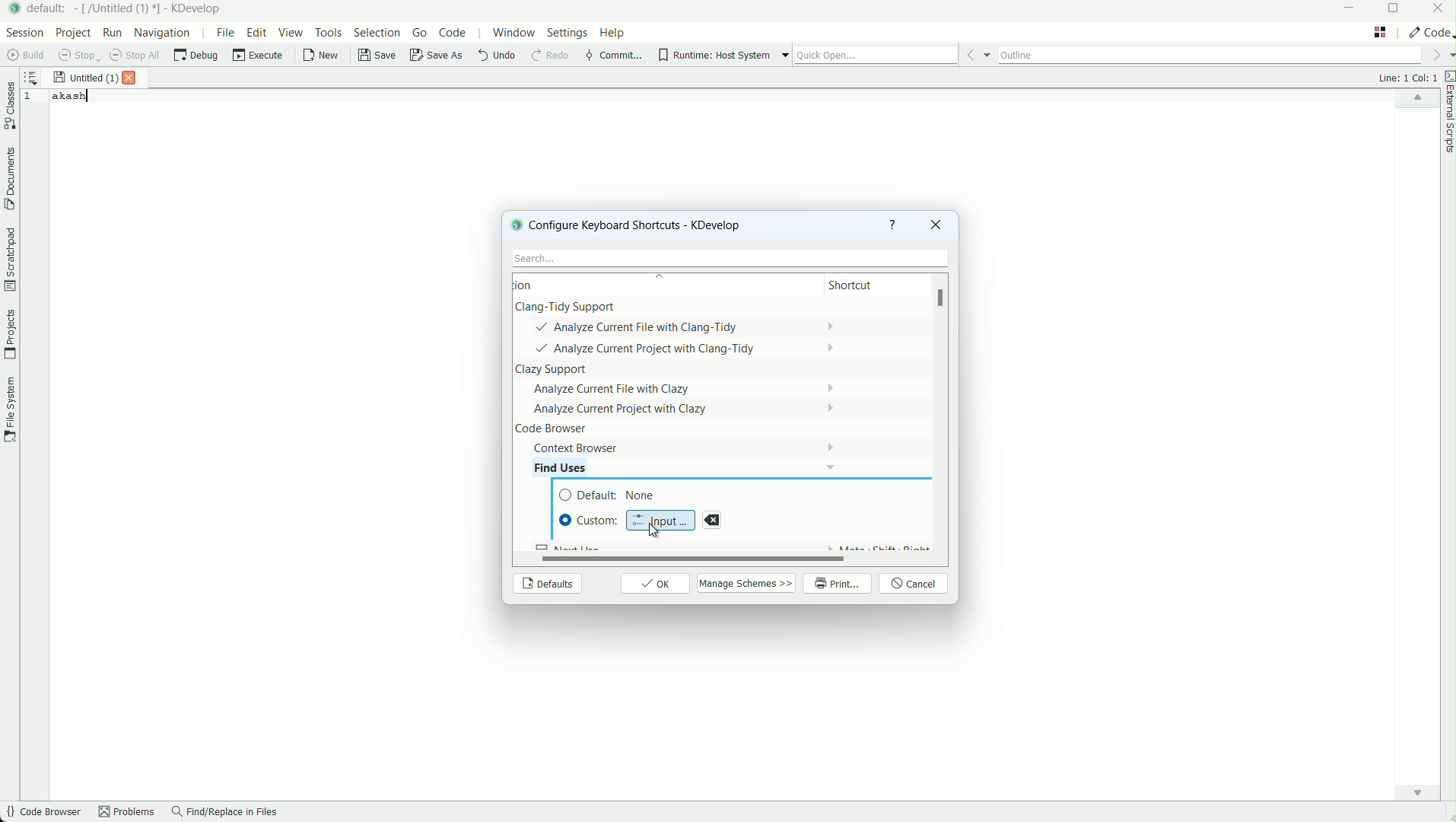  Describe the element at coordinates (613, 56) in the screenshot. I see `commit` at that location.